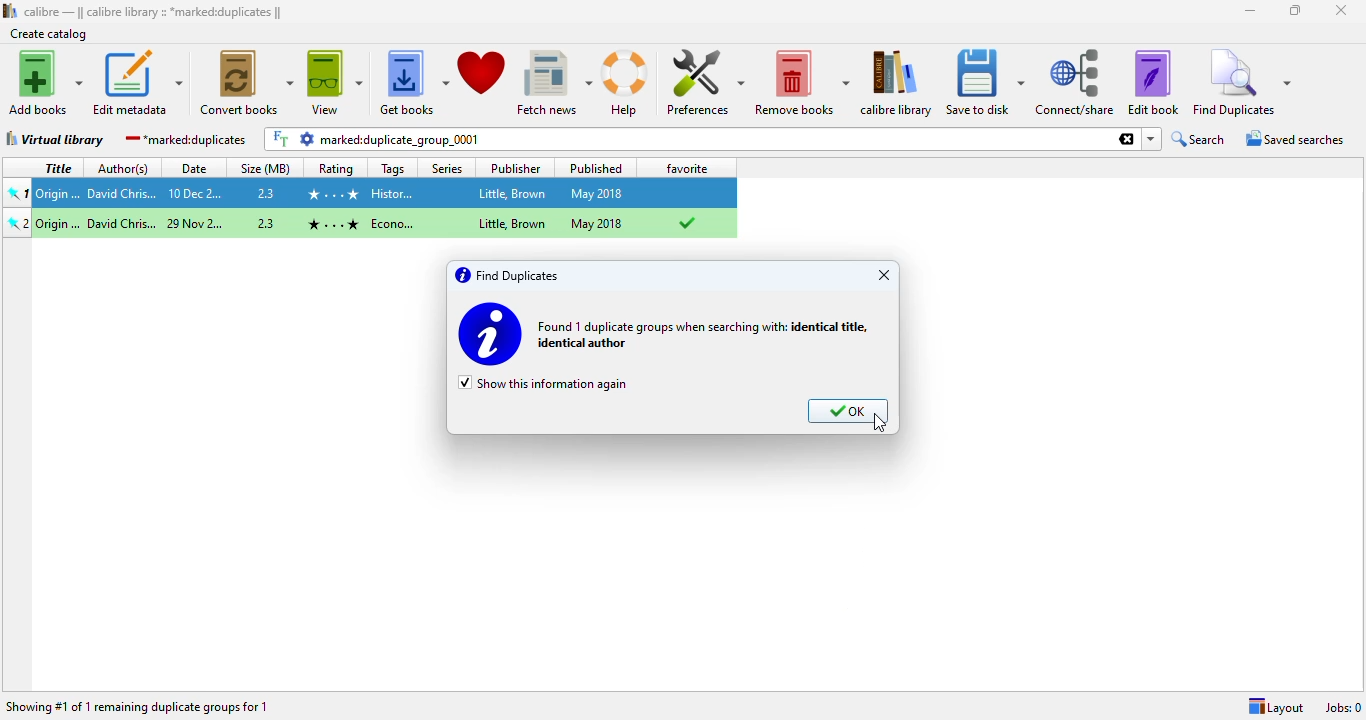  What do you see at coordinates (884, 274) in the screenshot?
I see `close` at bounding box center [884, 274].